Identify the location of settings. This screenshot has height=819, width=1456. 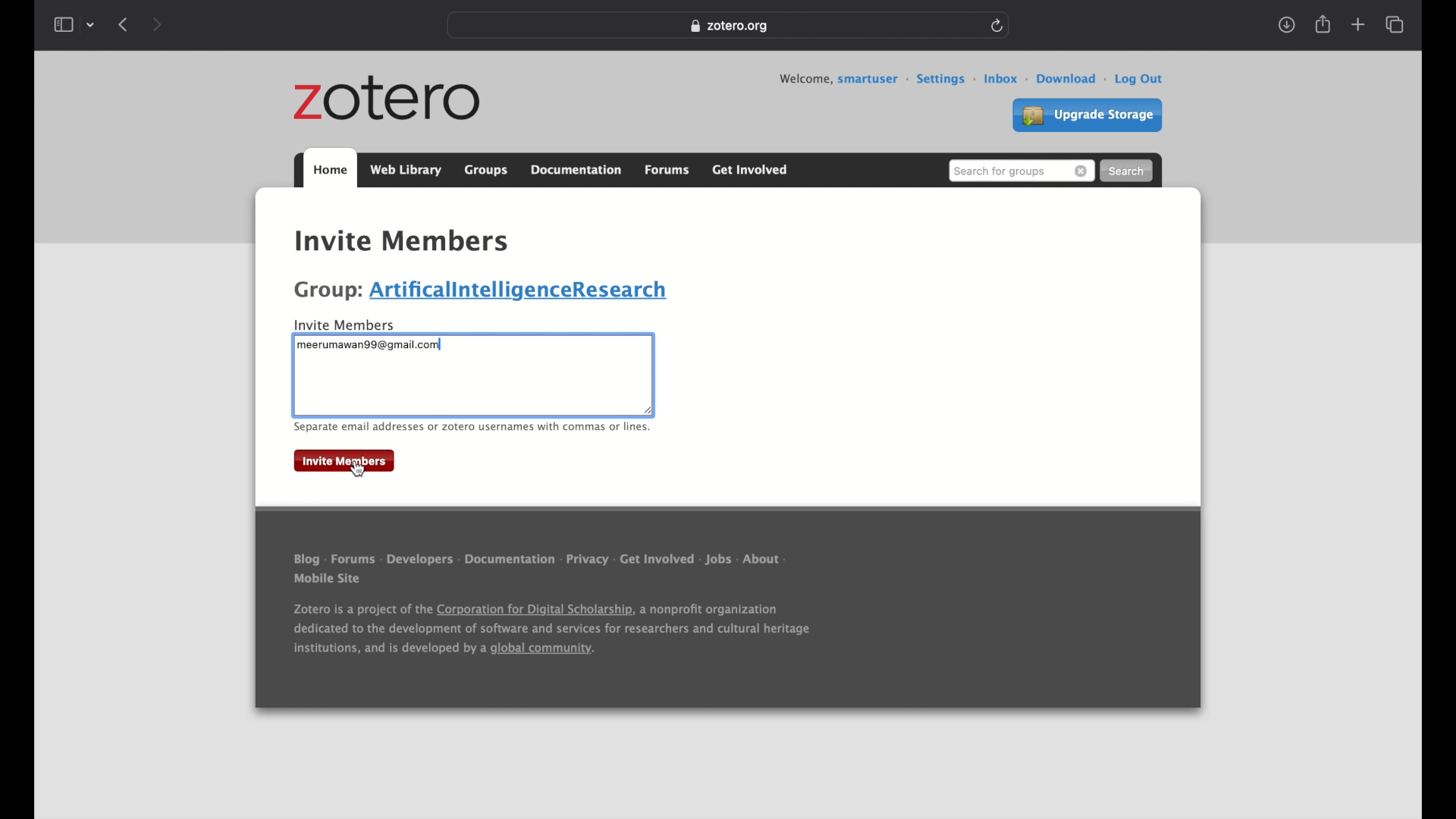
(600, 213).